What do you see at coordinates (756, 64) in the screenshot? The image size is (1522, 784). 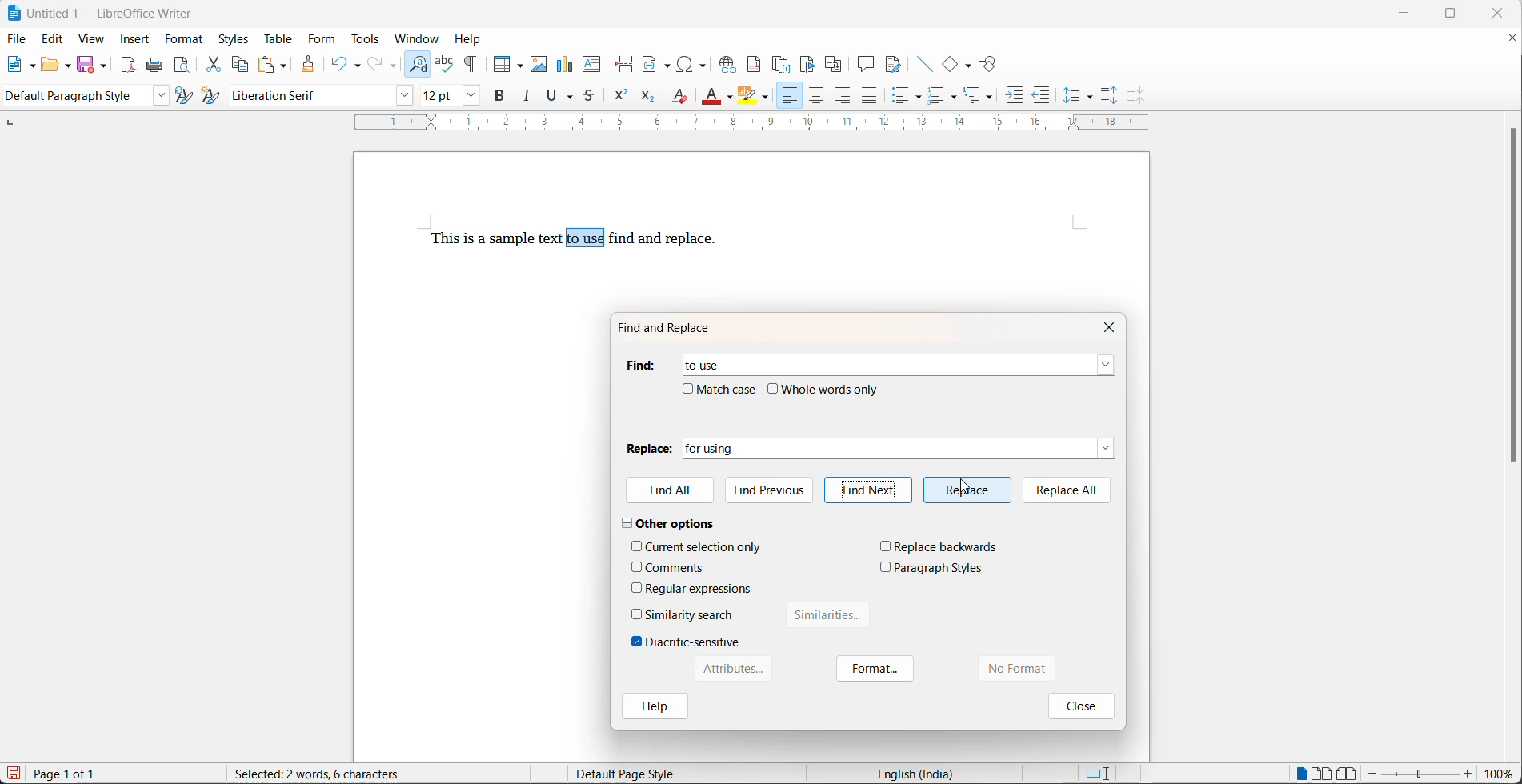 I see `insert footnote` at bounding box center [756, 64].